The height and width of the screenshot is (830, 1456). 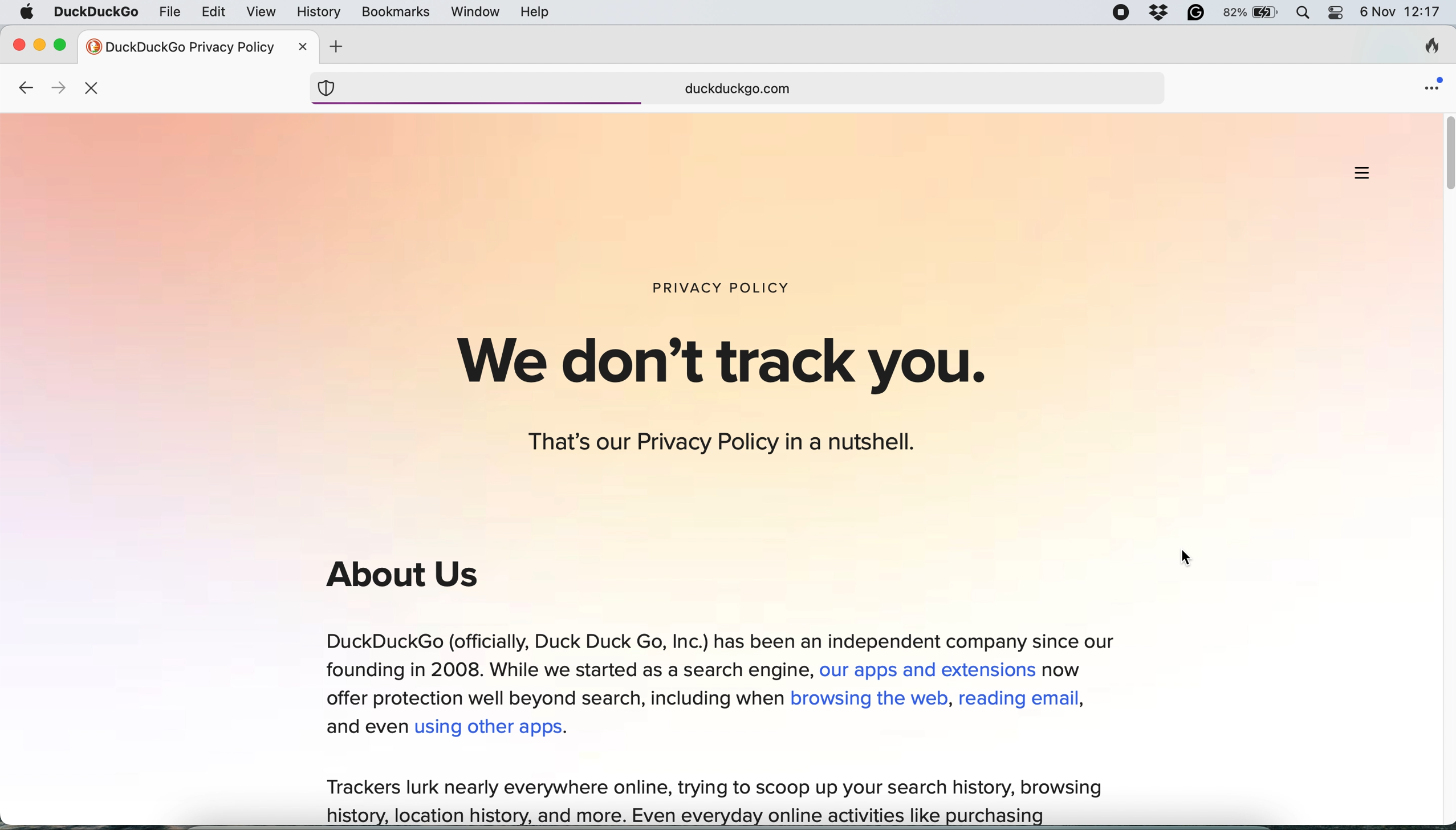 What do you see at coordinates (715, 801) in the screenshot?
I see `Trackers lurk nearly everywhere online, trying to scoop up your search history, browsing
history, location history, and more. Even everyday online activities like purchasing` at bounding box center [715, 801].